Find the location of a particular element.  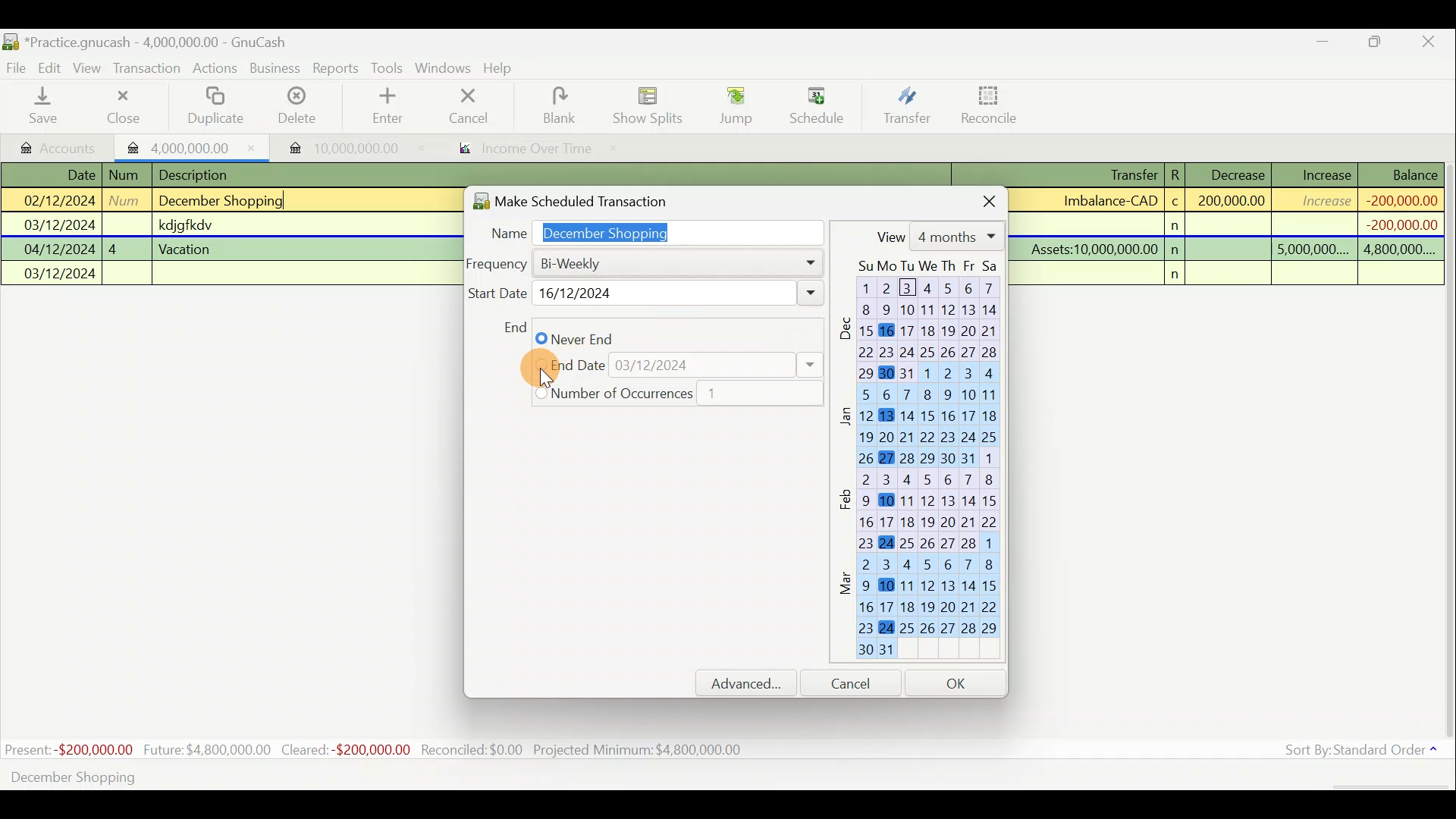

File is located at coordinates (17, 68).